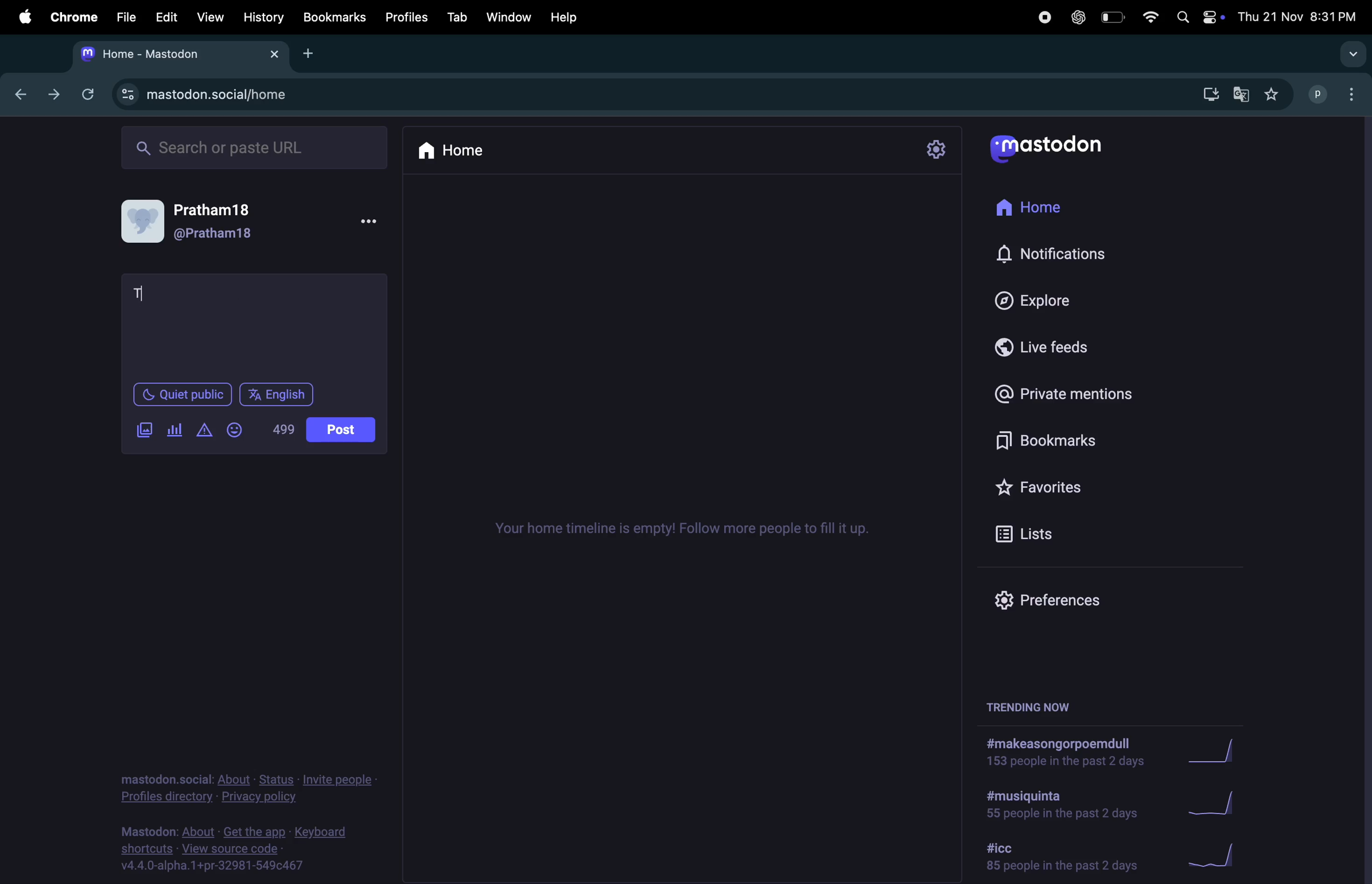  I want to click on home, so click(1033, 210).